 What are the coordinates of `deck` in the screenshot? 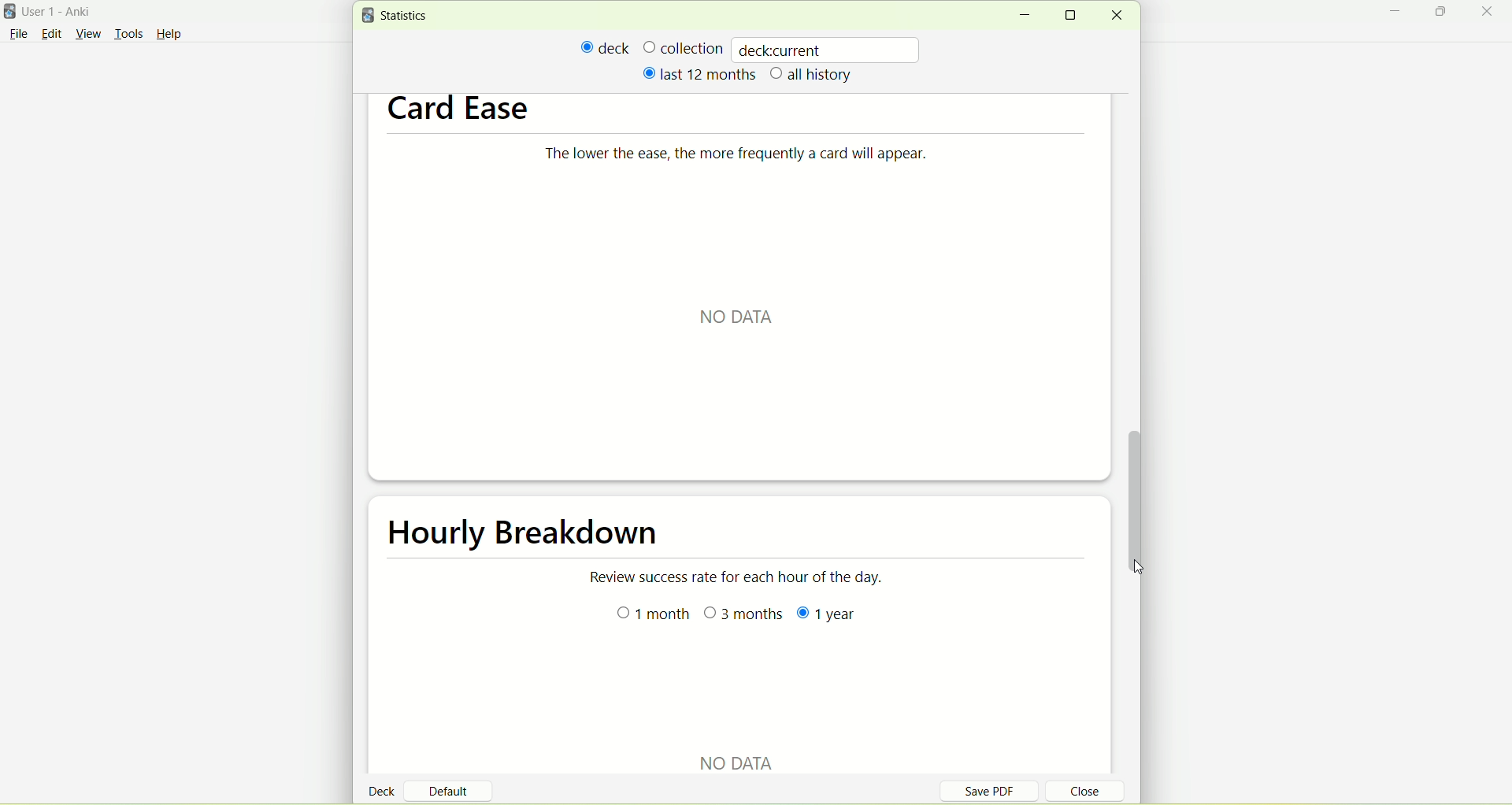 It's located at (606, 47).